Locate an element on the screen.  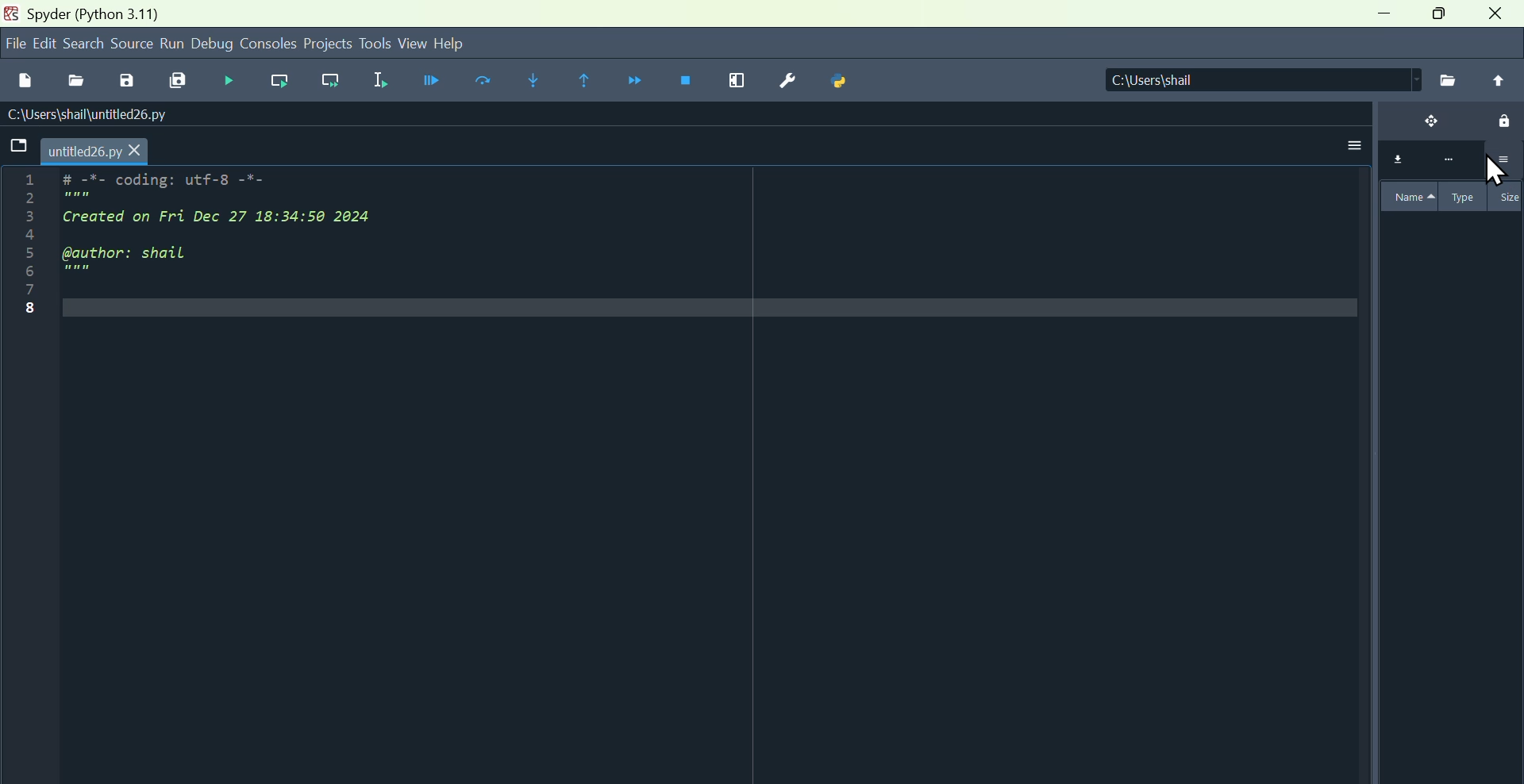
Debug file is located at coordinates (427, 81).